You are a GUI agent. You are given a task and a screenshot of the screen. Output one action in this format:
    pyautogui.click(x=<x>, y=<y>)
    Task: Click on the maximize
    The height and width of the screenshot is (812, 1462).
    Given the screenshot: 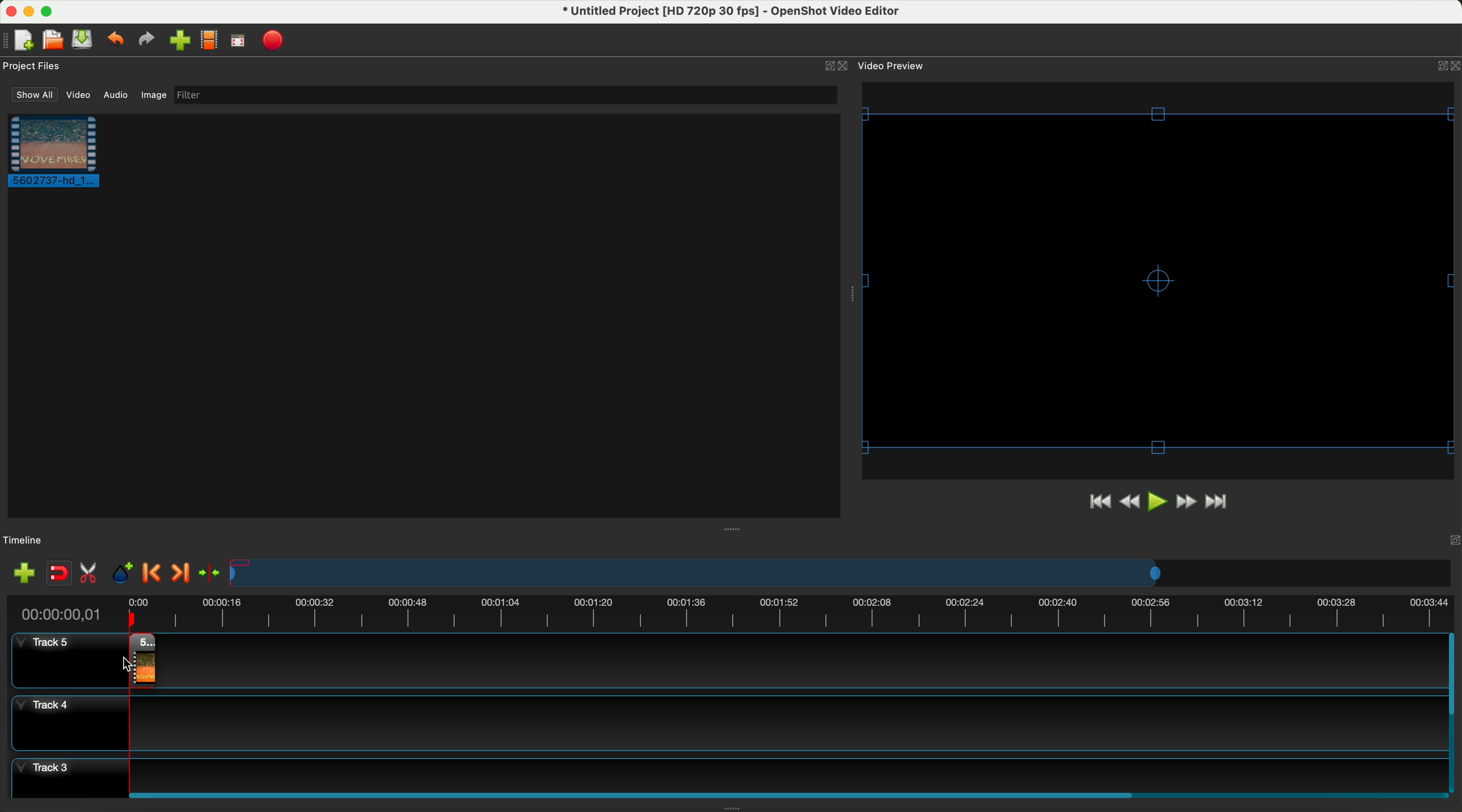 What is the action you would take?
    pyautogui.click(x=50, y=11)
    